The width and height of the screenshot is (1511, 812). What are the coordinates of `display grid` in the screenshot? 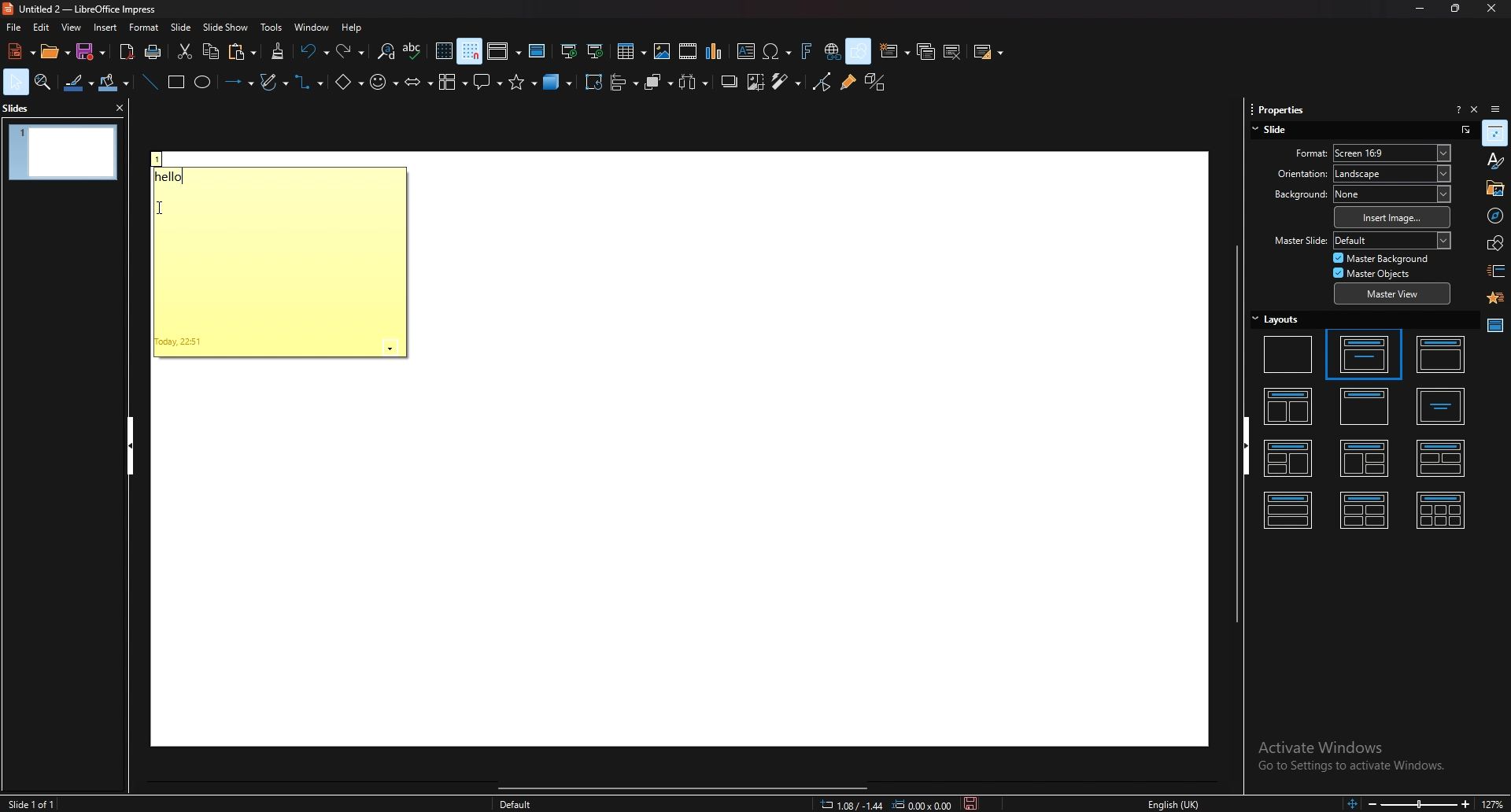 It's located at (444, 51).